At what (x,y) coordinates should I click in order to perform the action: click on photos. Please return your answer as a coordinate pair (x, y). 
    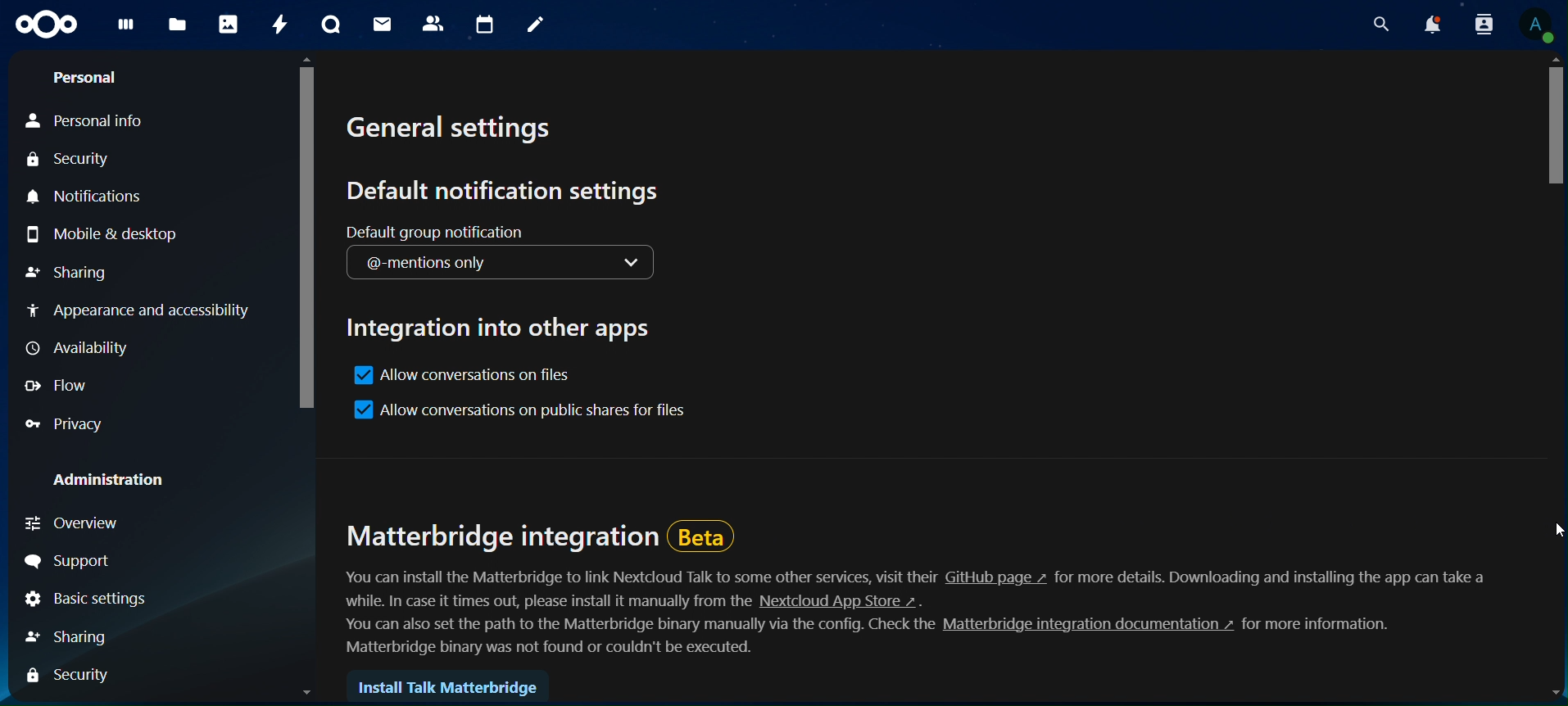
    Looking at the image, I should click on (228, 24).